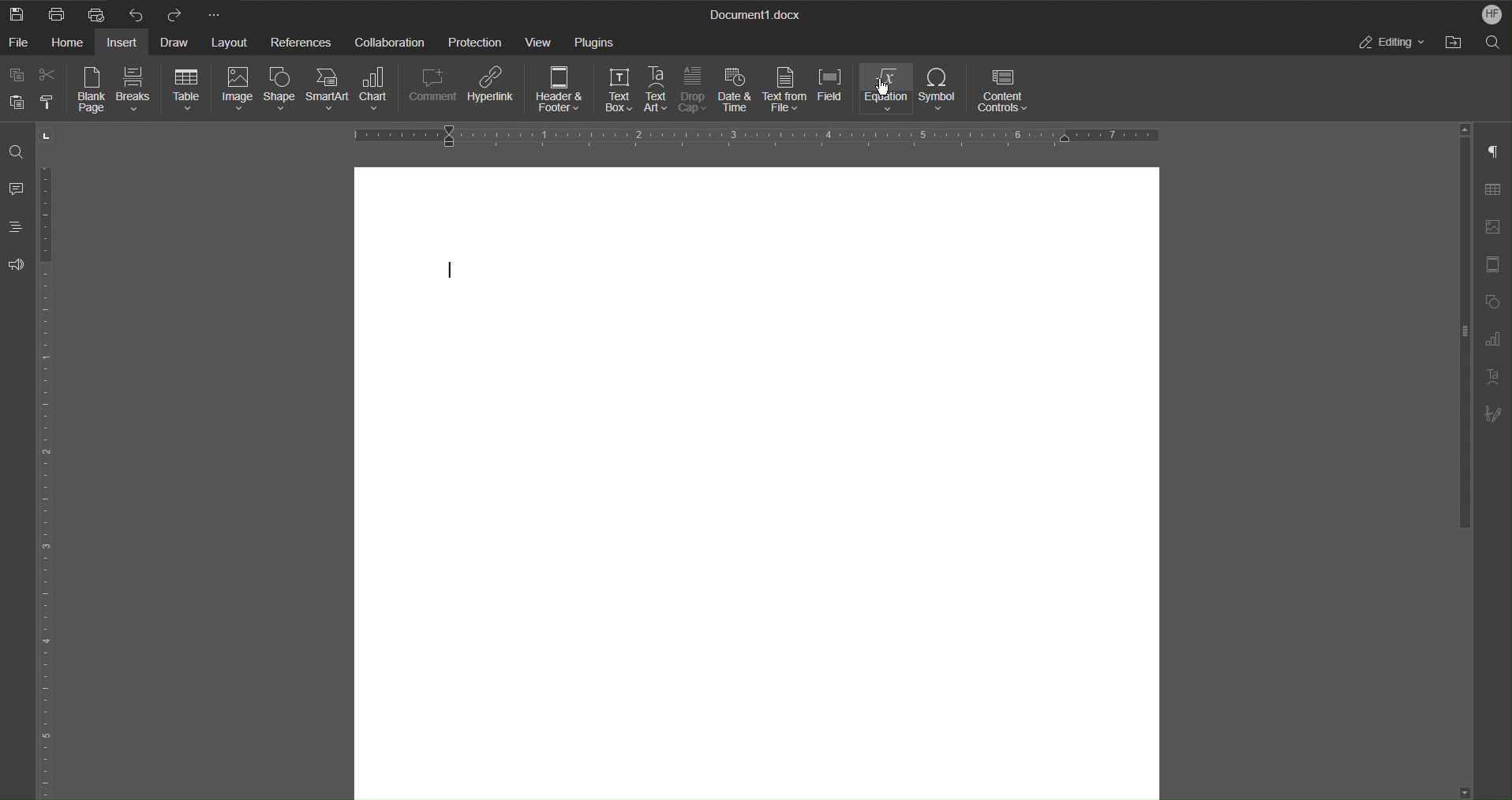 This screenshot has width=1512, height=800. What do you see at coordinates (59, 15) in the screenshot?
I see `Print` at bounding box center [59, 15].